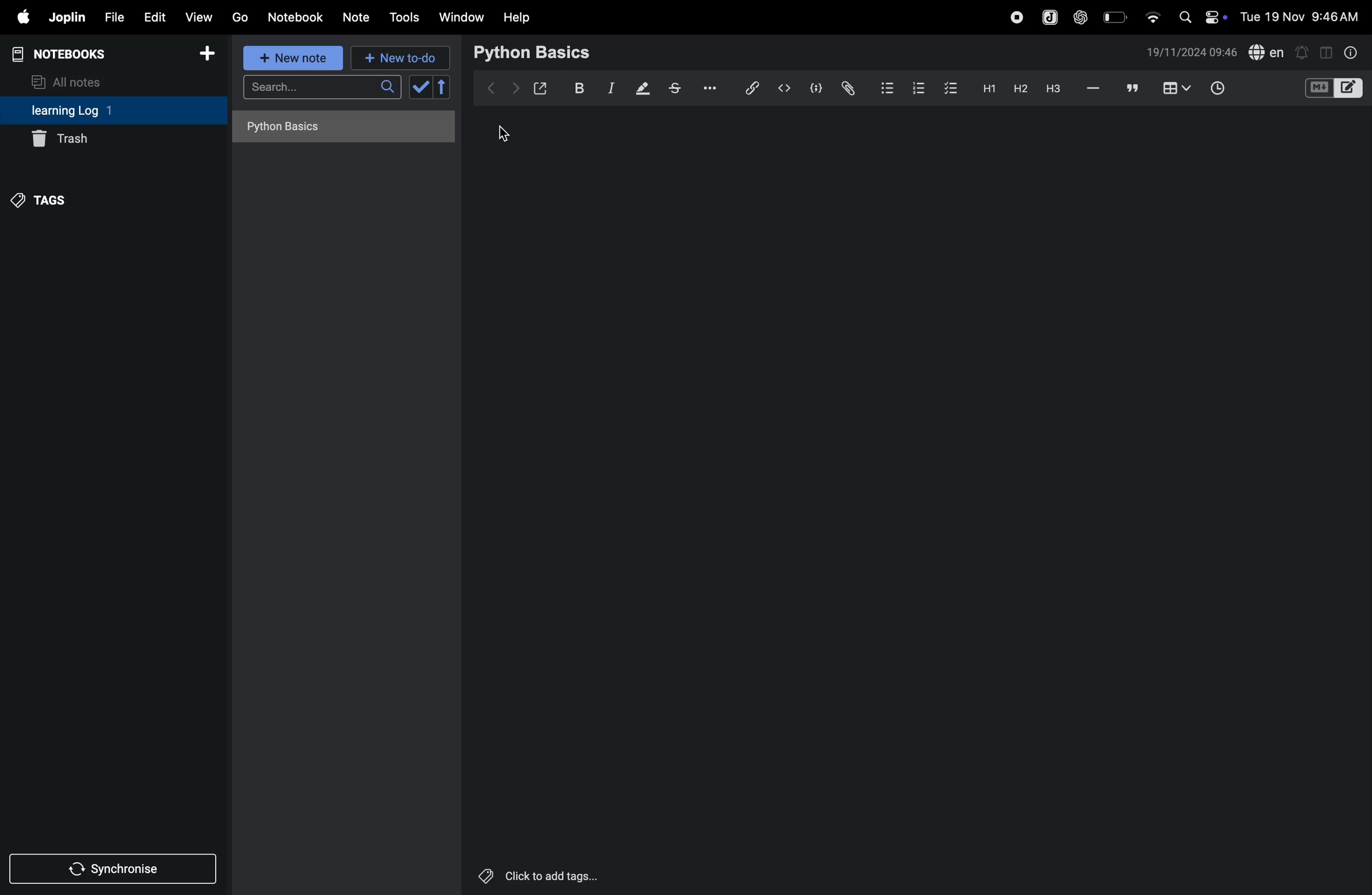 This screenshot has height=895, width=1372. Describe the element at coordinates (1094, 89) in the screenshot. I see `hifen` at that location.